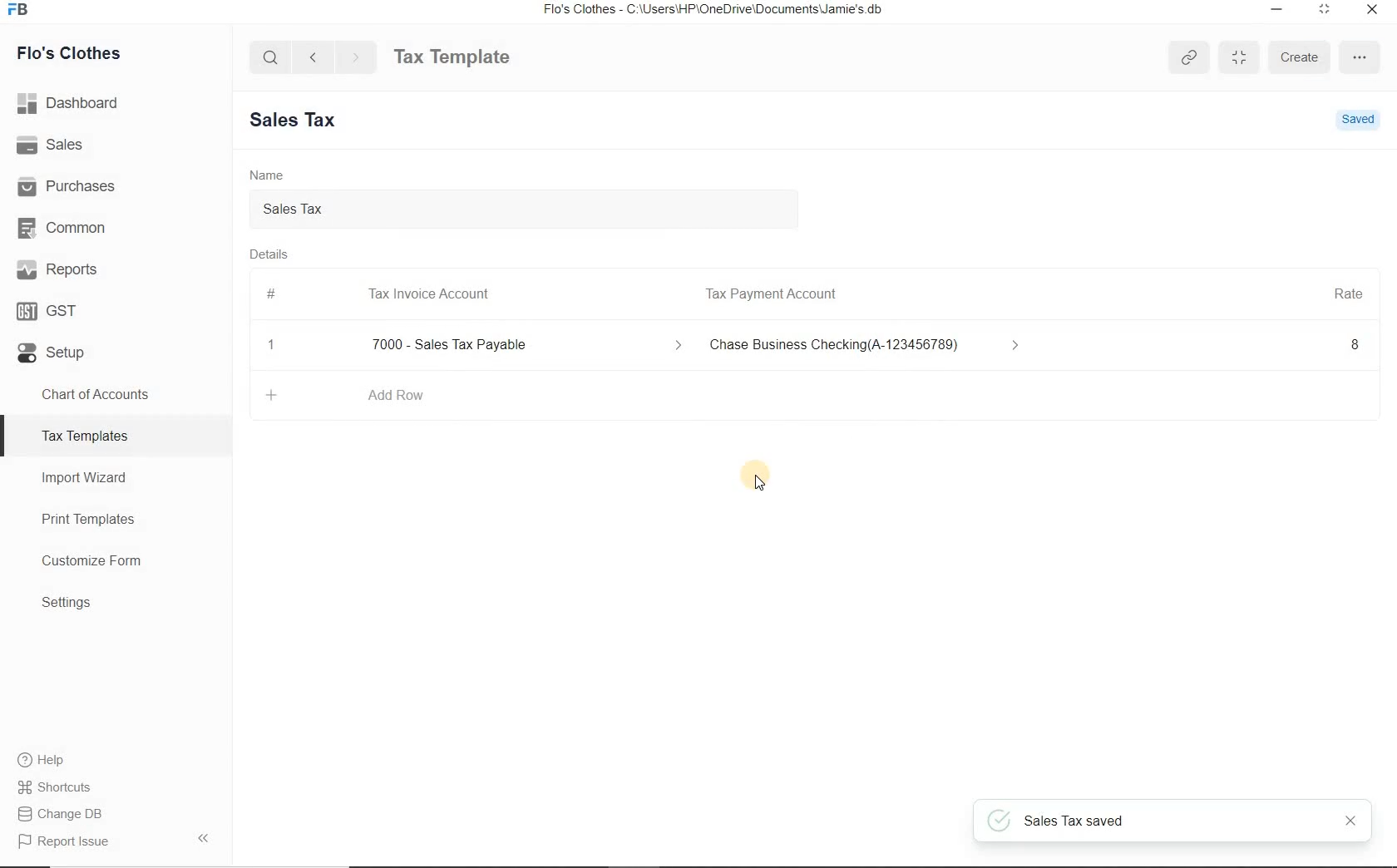  Describe the element at coordinates (1174, 821) in the screenshot. I see `Sales Tax Saved` at that location.